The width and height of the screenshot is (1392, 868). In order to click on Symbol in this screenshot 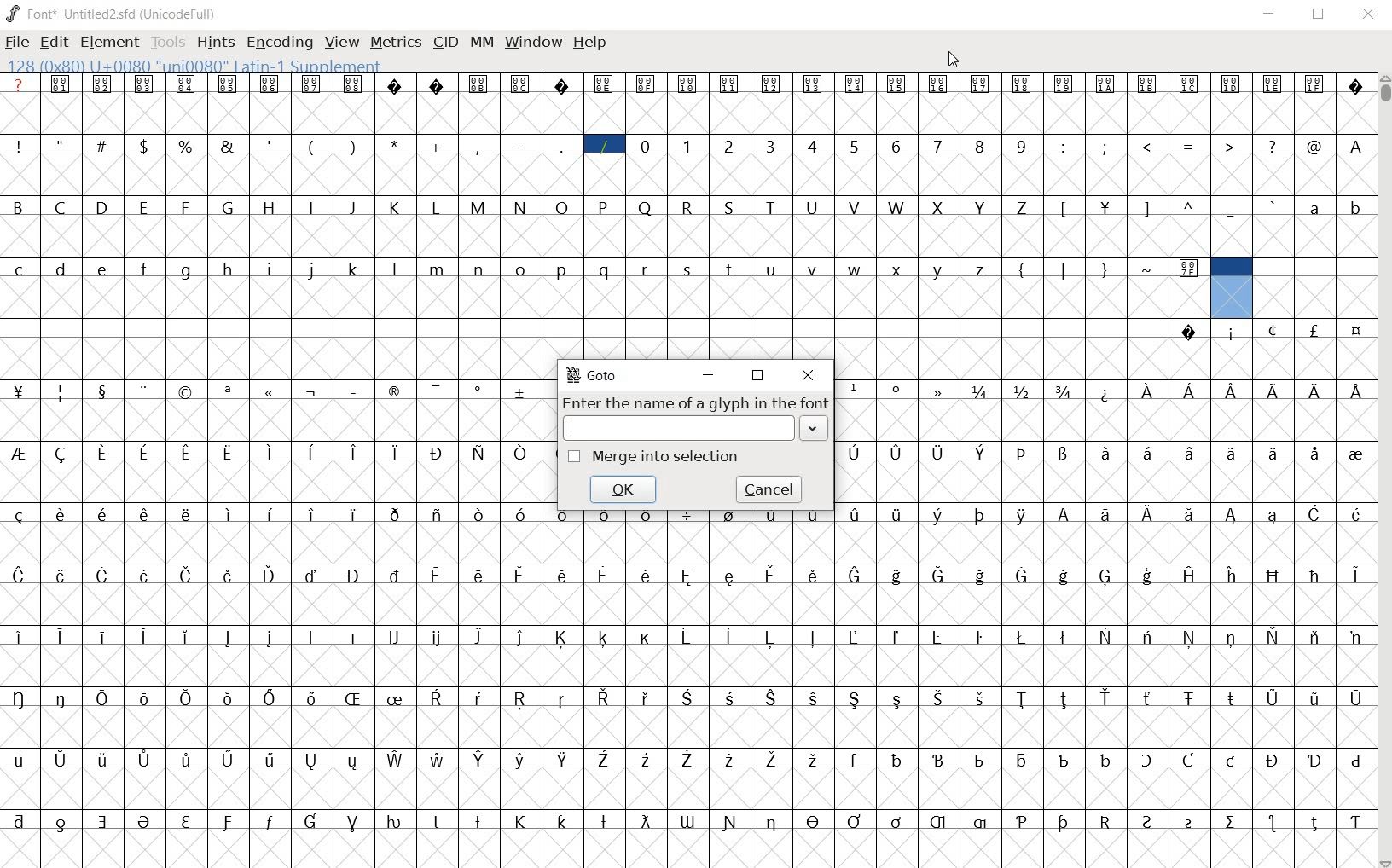, I will do `click(270, 391)`.